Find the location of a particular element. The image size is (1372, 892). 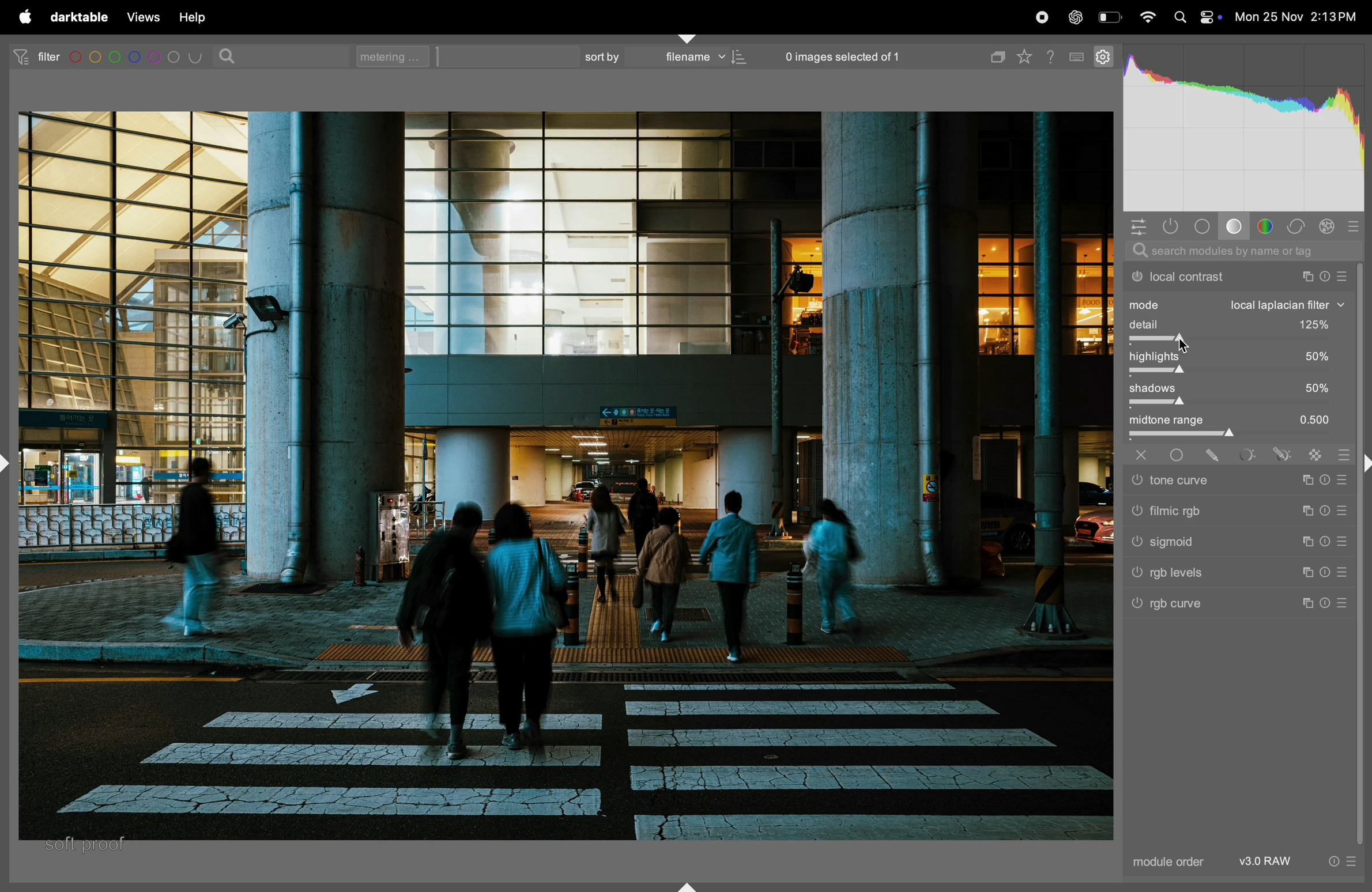

cursor is located at coordinates (1189, 346).